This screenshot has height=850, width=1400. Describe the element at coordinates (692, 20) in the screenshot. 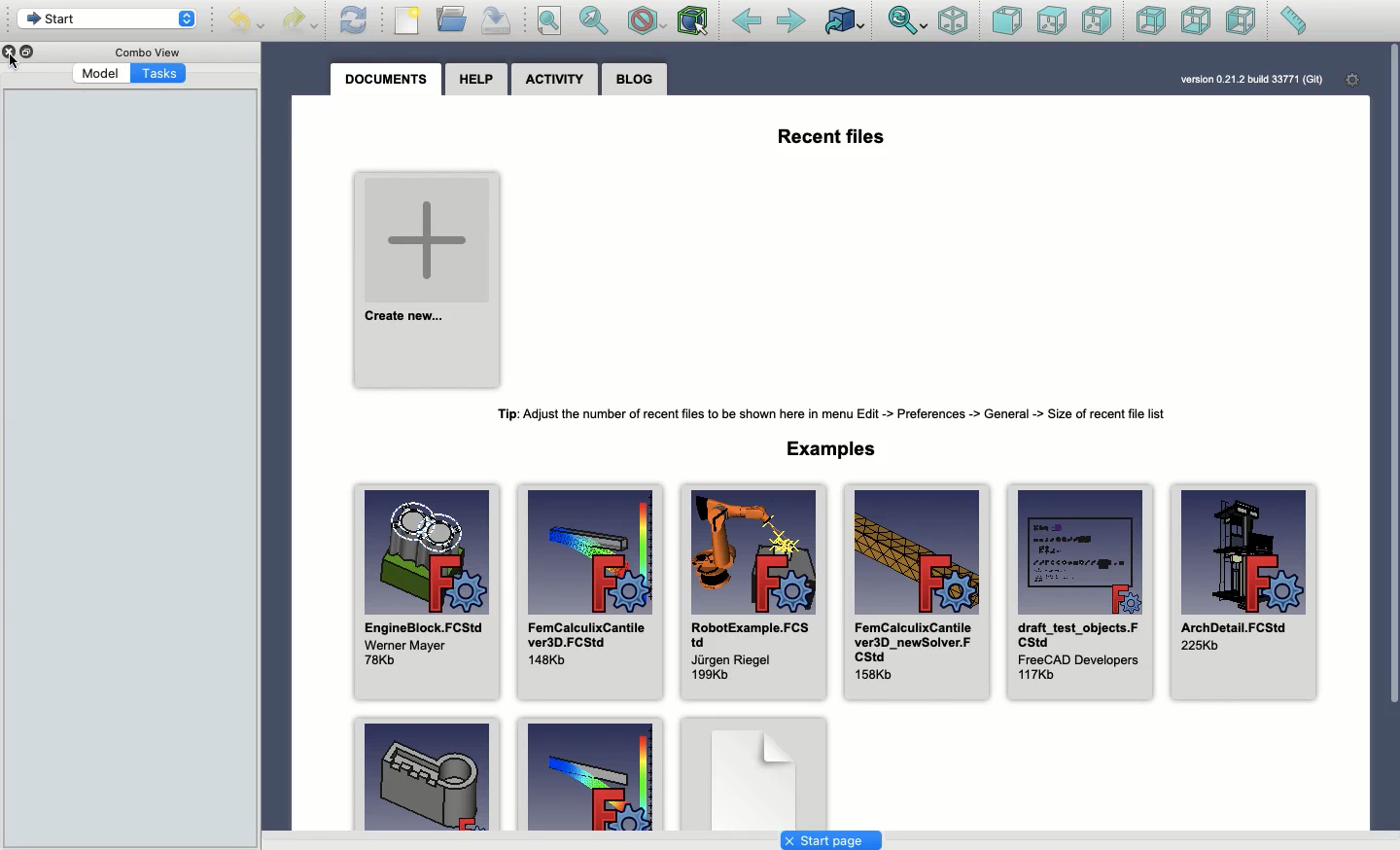

I see `Bounding box` at that location.